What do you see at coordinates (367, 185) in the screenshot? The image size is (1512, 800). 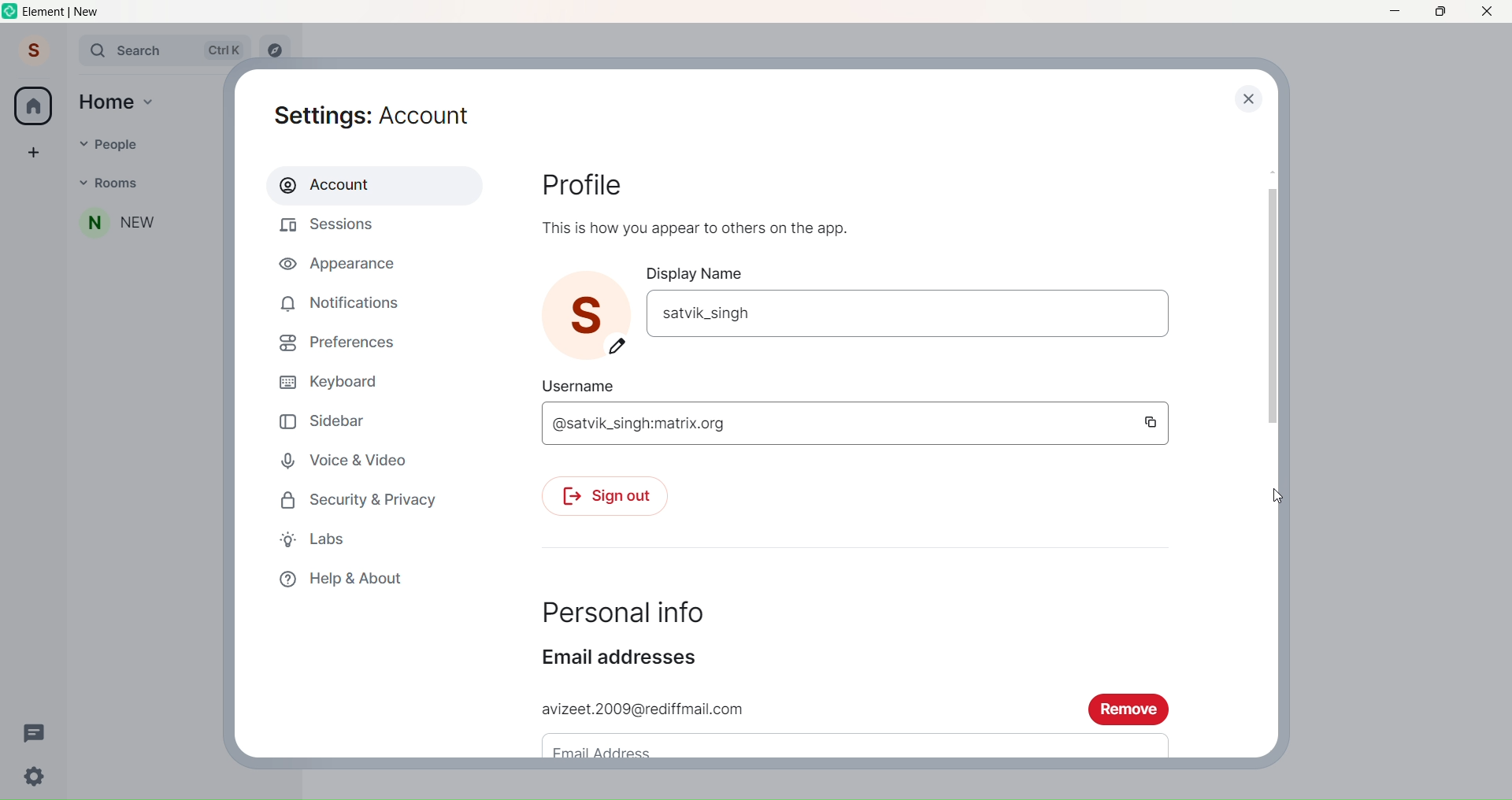 I see `Account` at bounding box center [367, 185].